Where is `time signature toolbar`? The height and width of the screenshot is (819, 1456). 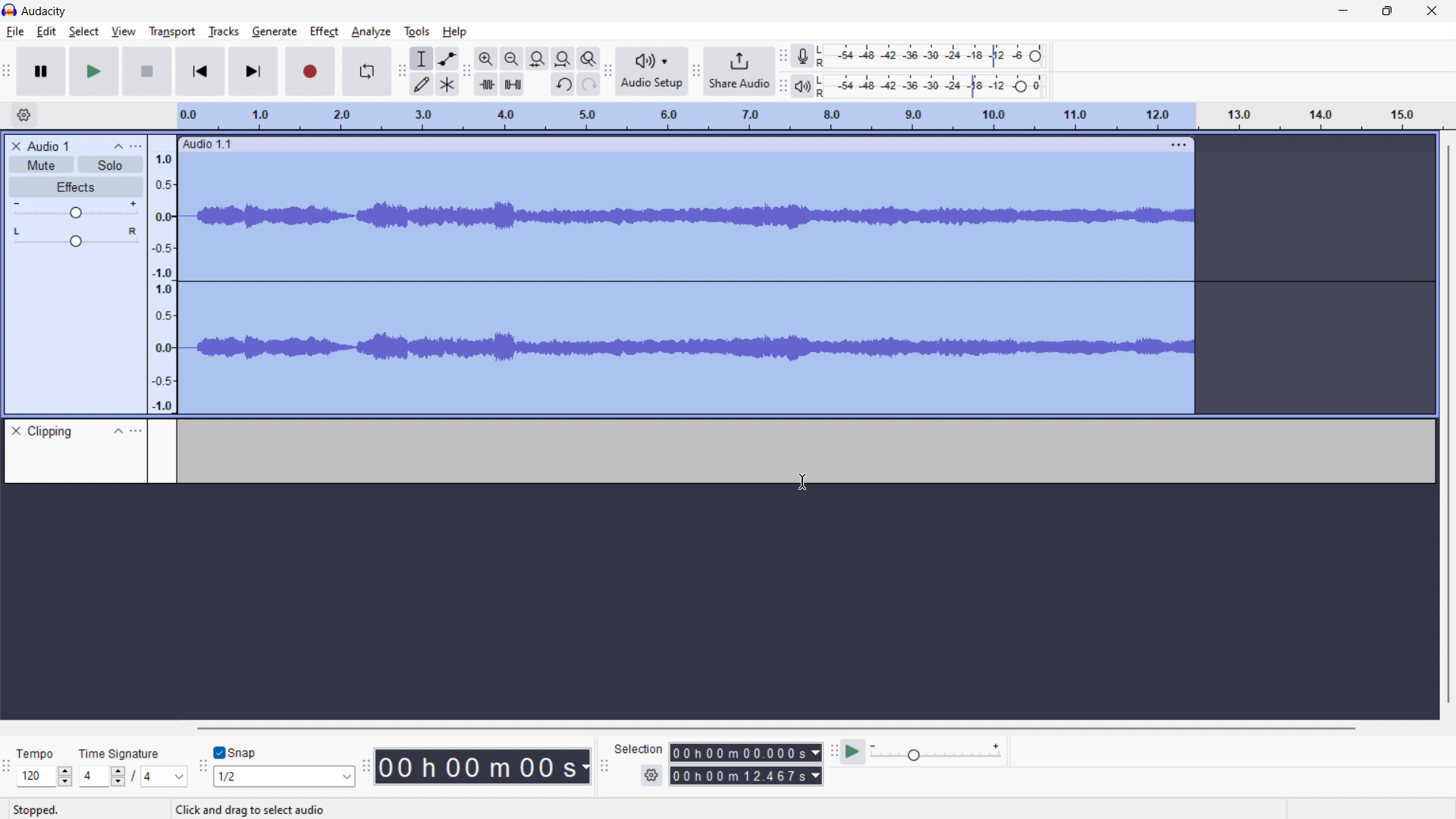
time signature toolbar is located at coordinates (132, 777).